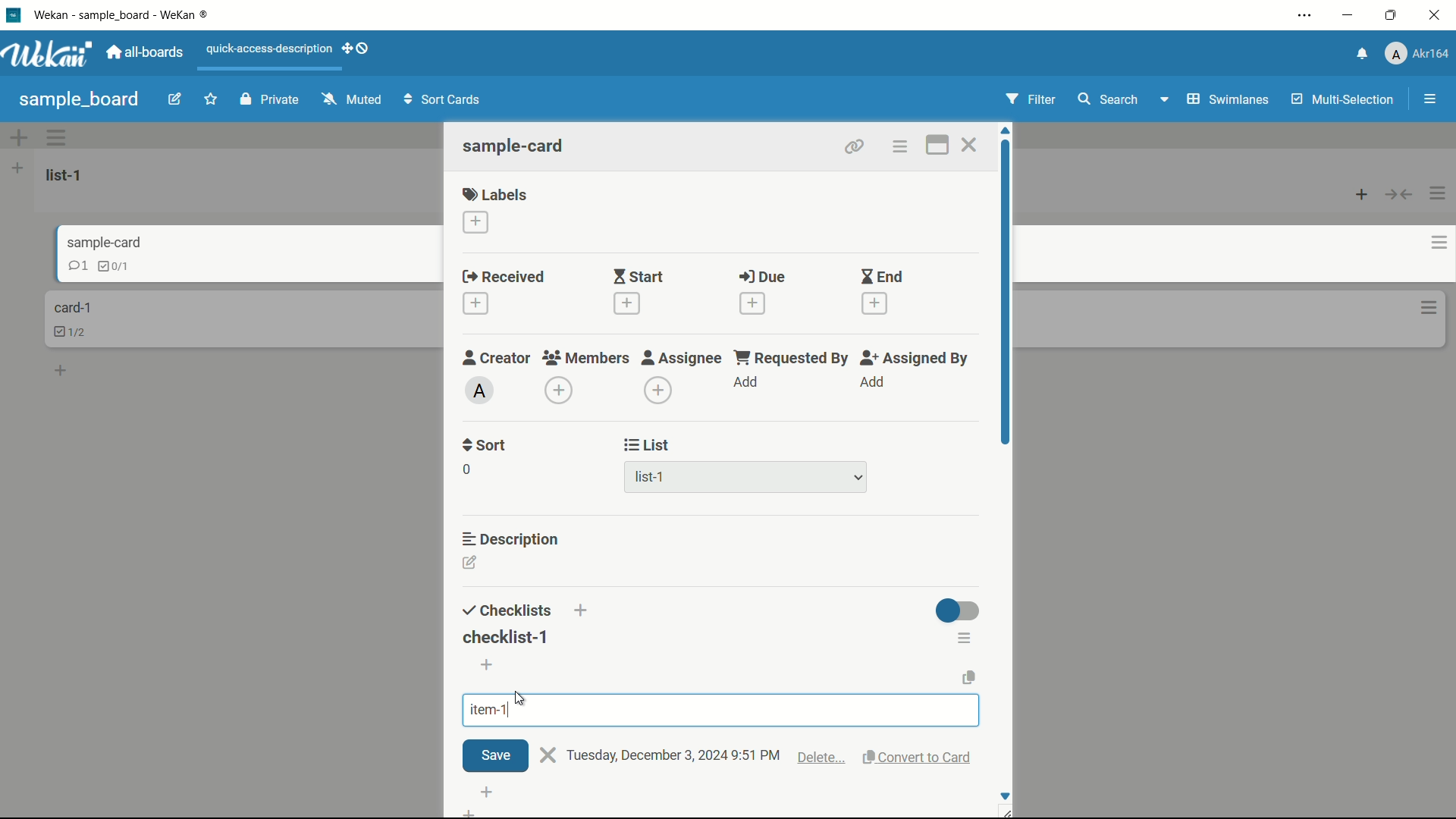 The image size is (1456, 819). Describe the element at coordinates (1391, 14) in the screenshot. I see `maximize` at that location.